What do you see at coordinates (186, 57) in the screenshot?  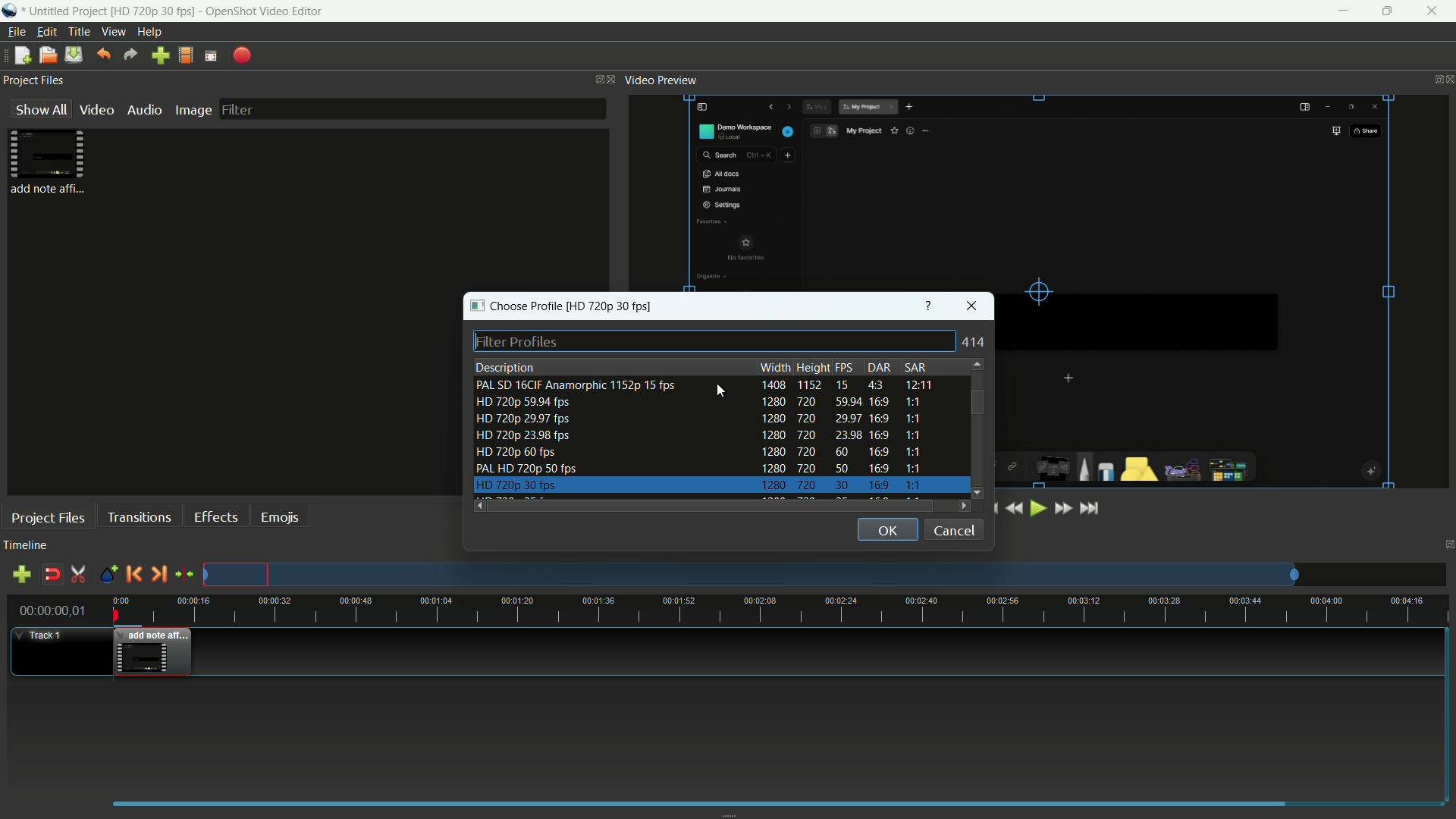 I see `profile` at bounding box center [186, 57].